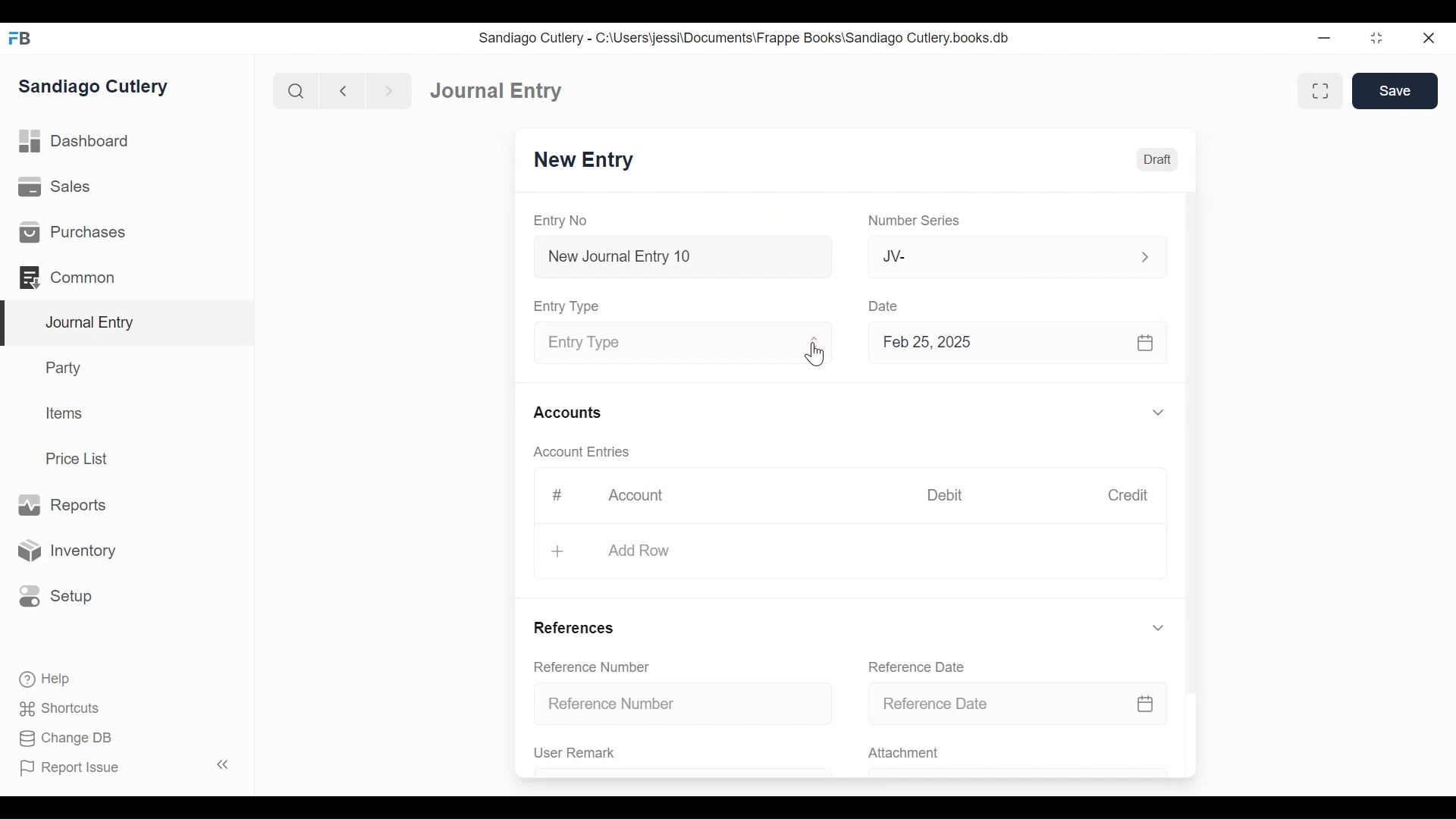  Describe the element at coordinates (80, 458) in the screenshot. I see `Price List` at that location.